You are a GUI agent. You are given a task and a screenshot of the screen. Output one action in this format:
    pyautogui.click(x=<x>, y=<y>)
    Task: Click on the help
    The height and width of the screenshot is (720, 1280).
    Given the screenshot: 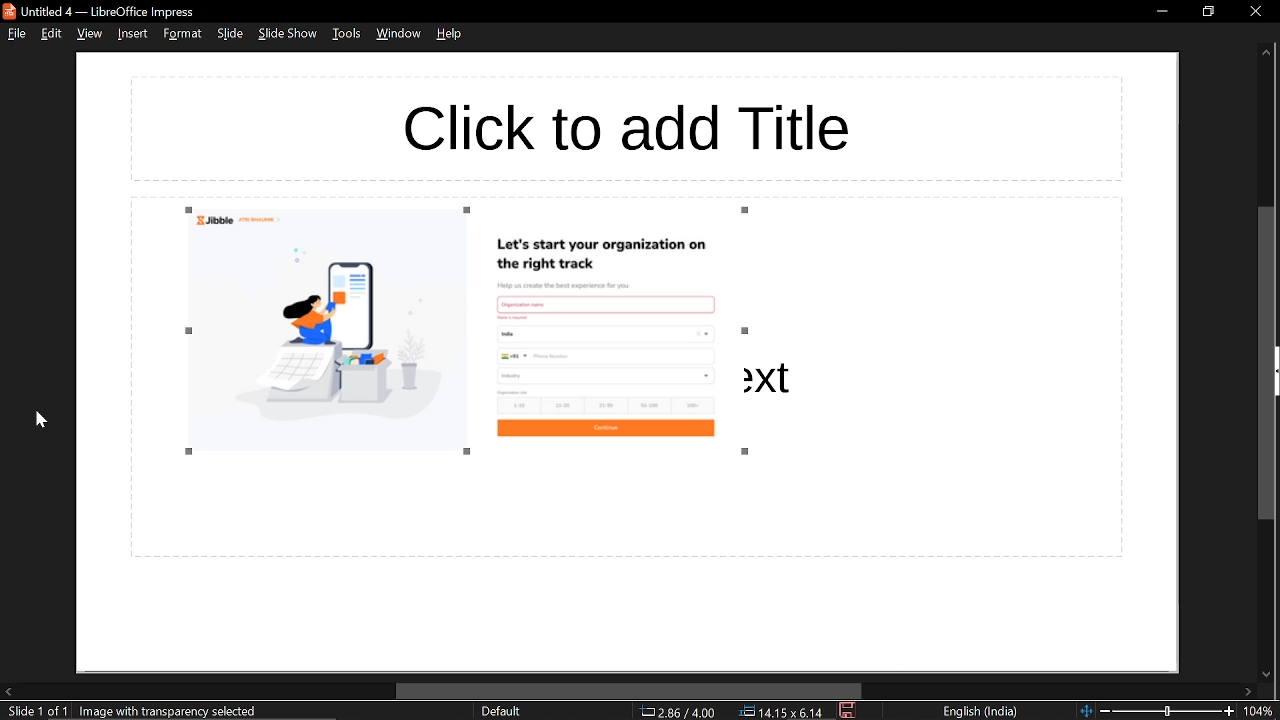 What is the action you would take?
    pyautogui.click(x=451, y=34)
    